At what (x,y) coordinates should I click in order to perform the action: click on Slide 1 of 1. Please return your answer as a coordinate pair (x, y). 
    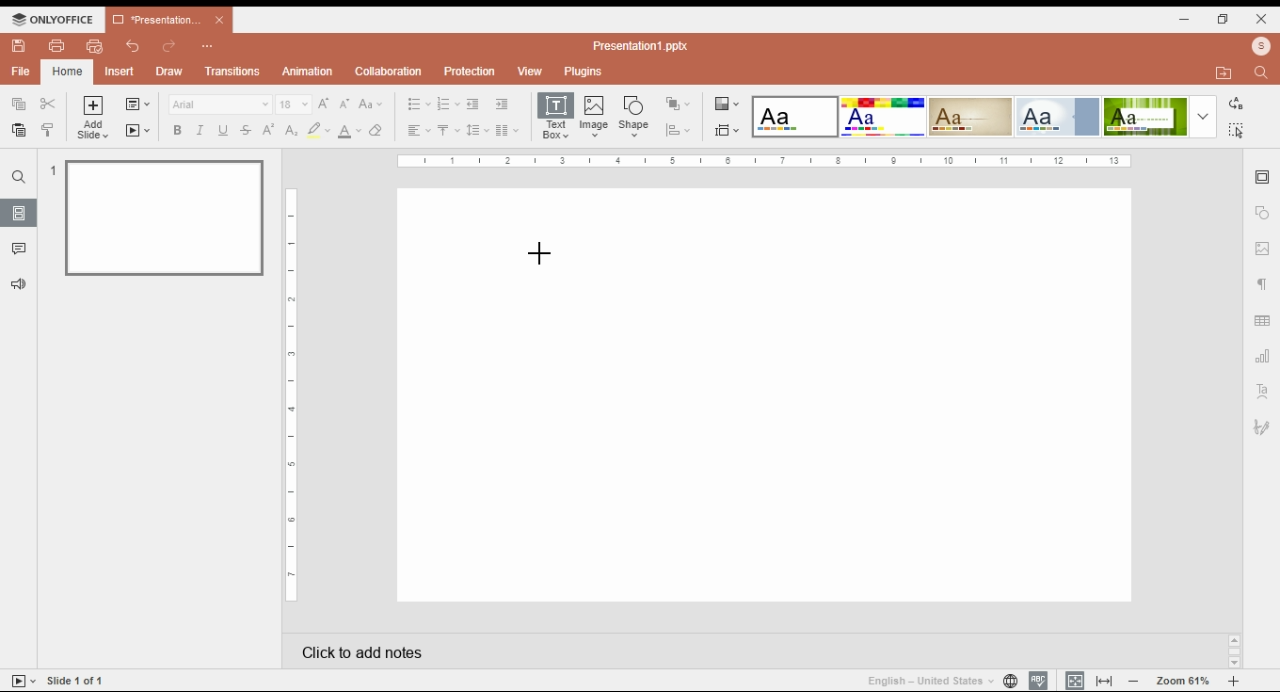
    Looking at the image, I should click on (76, 680).